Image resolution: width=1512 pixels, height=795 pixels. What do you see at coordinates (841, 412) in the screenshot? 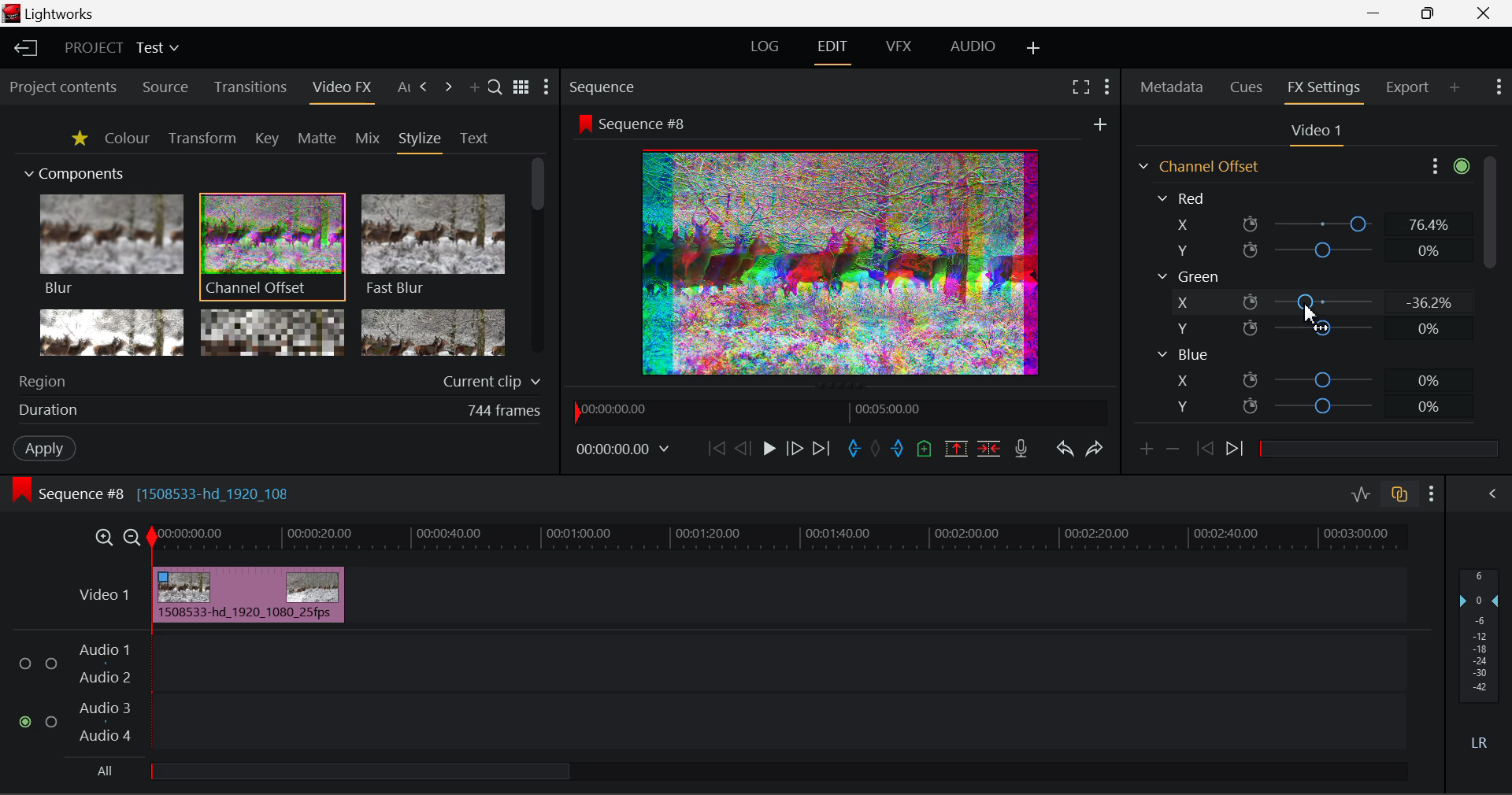
I see `Project Timeline Navigator` at bounding box center [841, 412].